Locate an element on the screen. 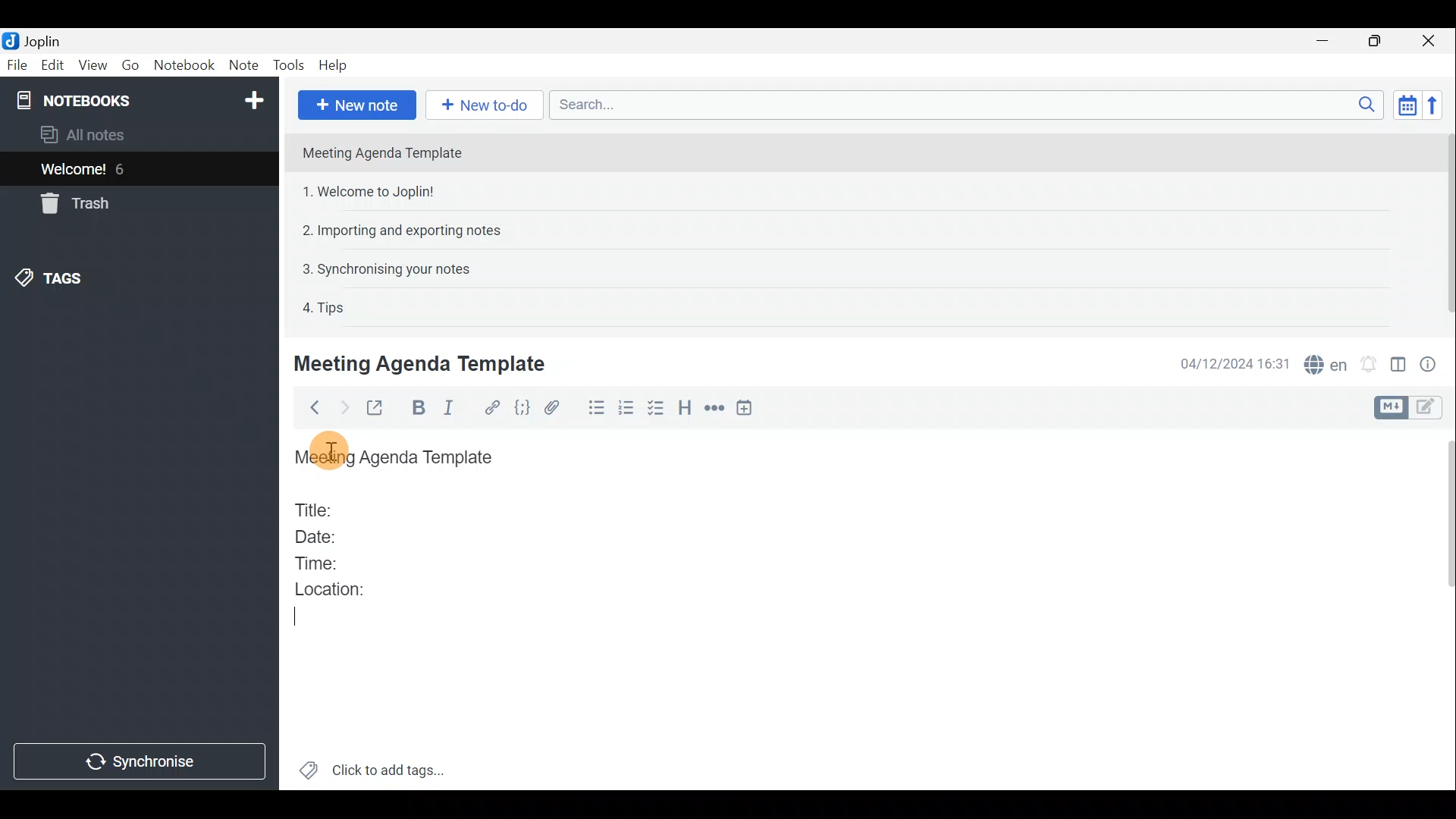 Image resolution: width=1456 pixels, height=819 pixels. Toggle sort order is located at coordinates (1404, 103).